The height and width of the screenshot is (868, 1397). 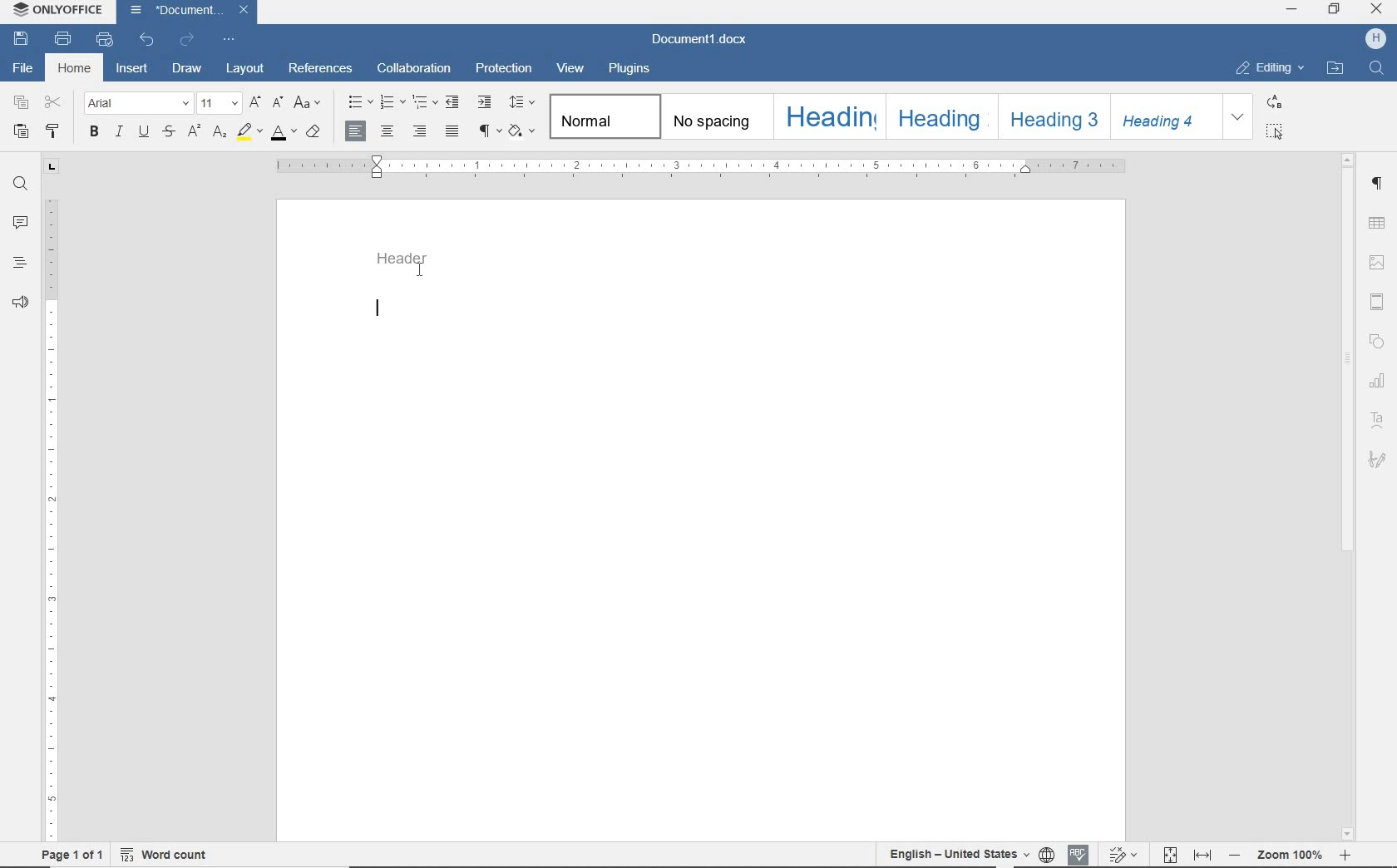 I want to click on Heading1, so click(x=822, y=116).